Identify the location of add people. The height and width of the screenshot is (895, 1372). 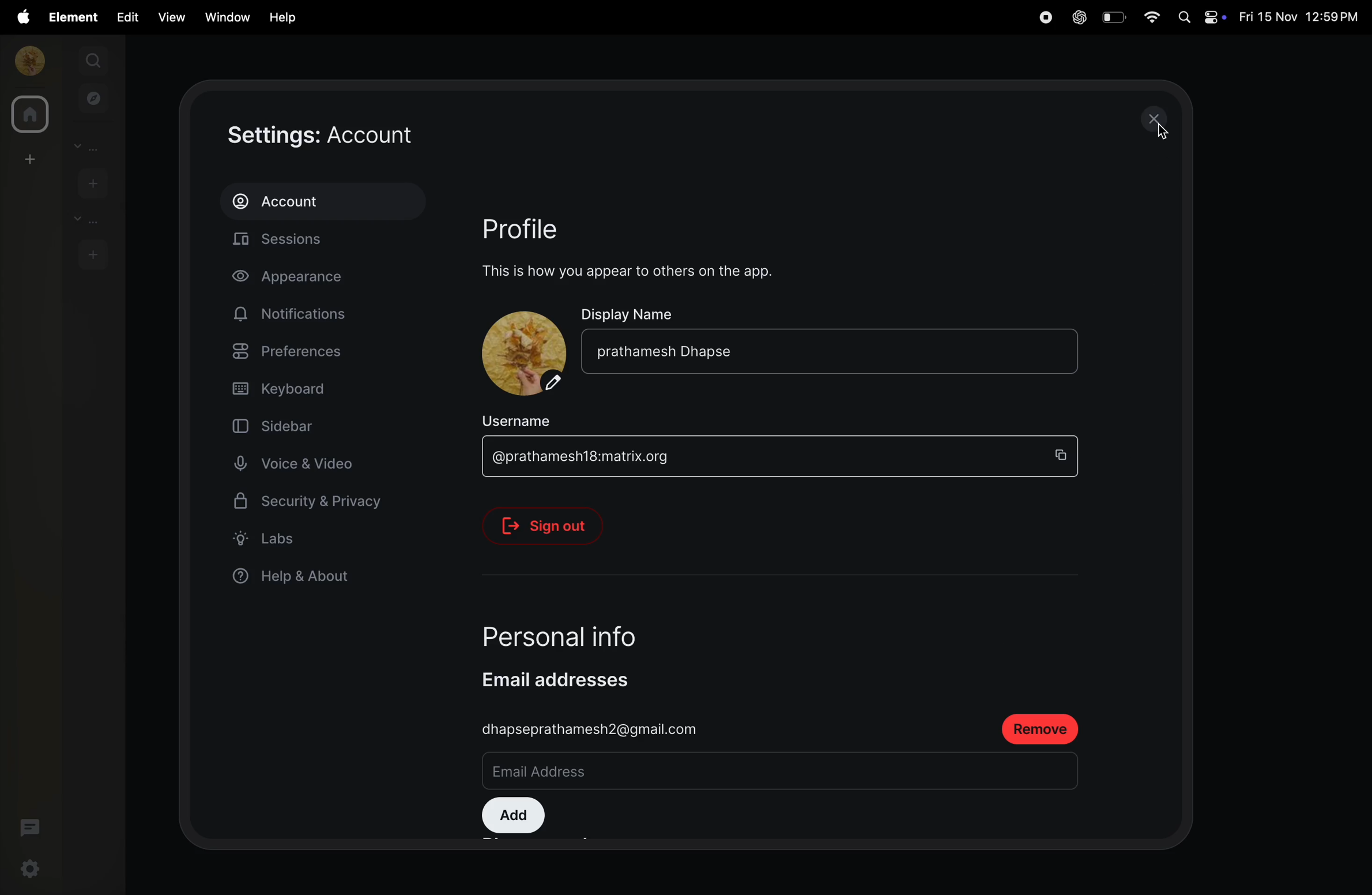
(91, 182).